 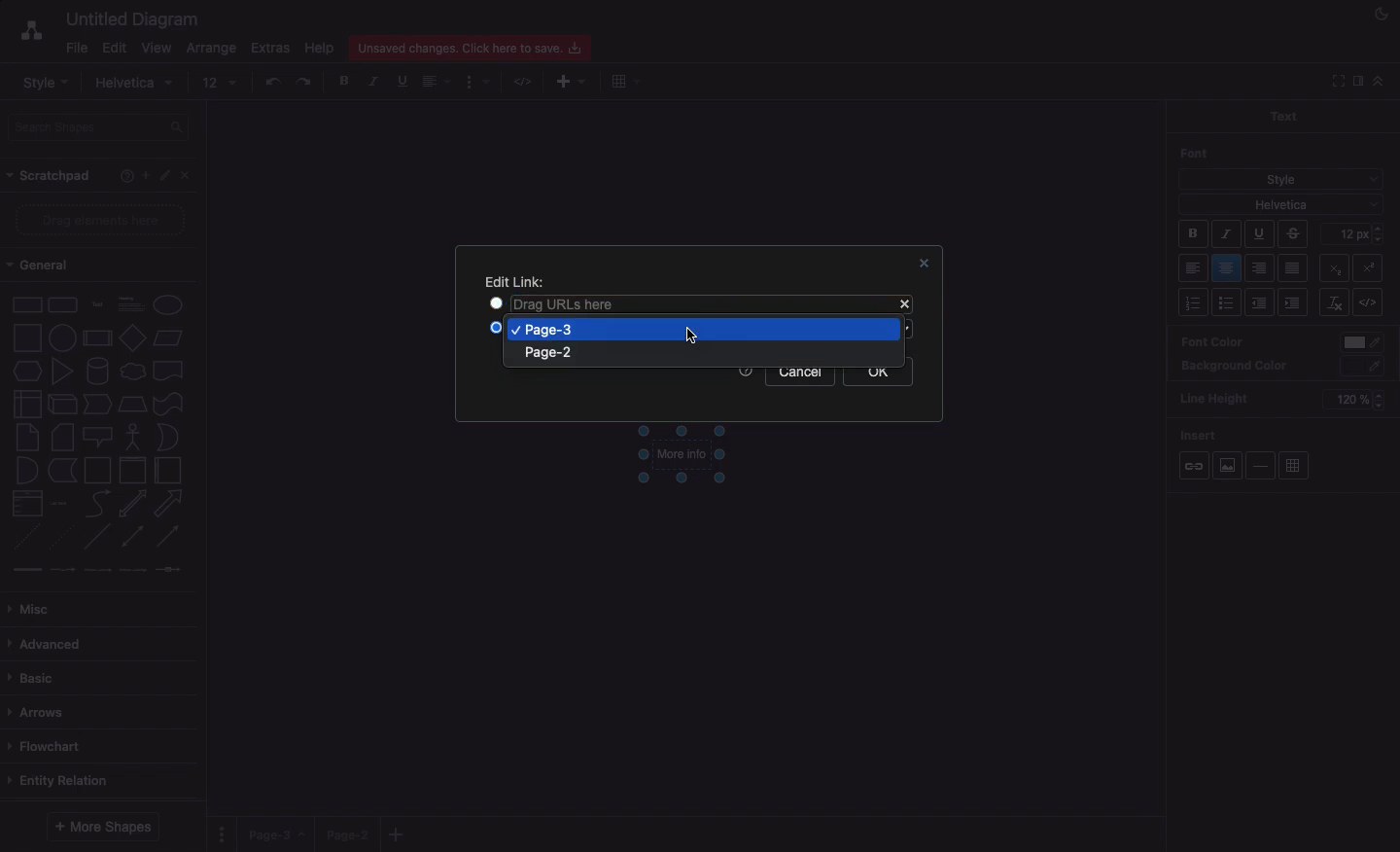 What do you see at coordinates (132, 405) in the screenshot?
I see `trapezoid` at bounding box center [132, 405].